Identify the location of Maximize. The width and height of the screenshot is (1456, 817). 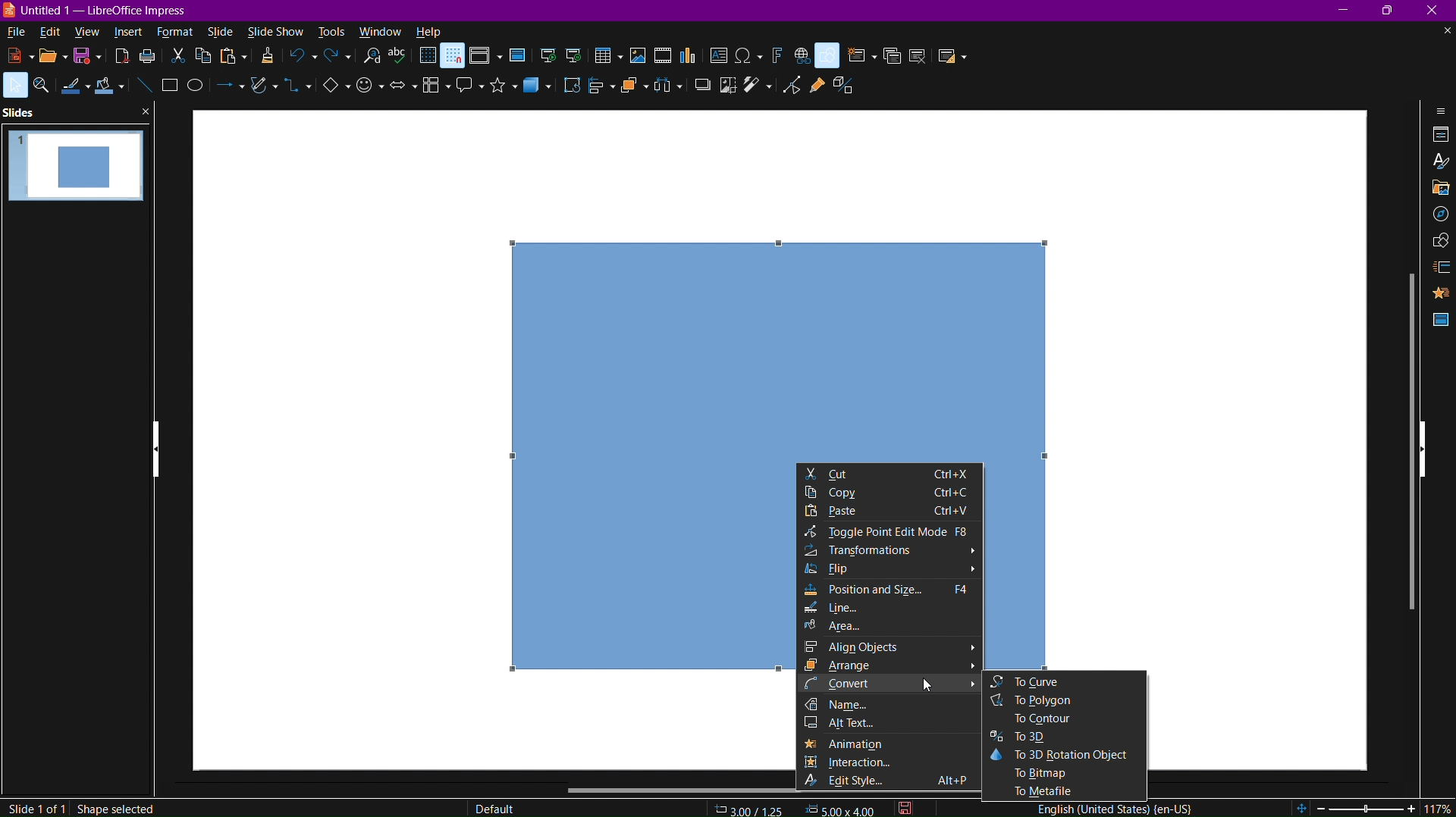
(1393, 11).